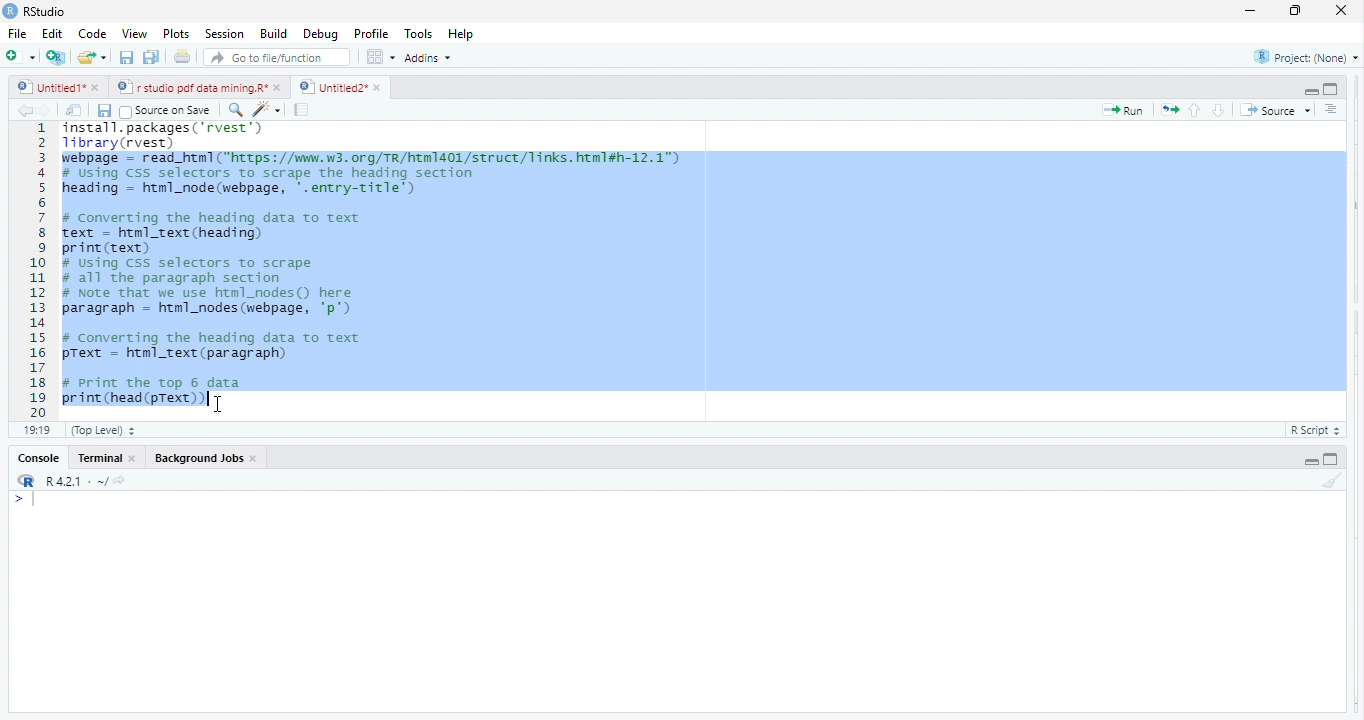 This screenshot has width=1364, height=720. Describe the element at coordinates (223, 34) in the screenshot. I see `‘Session` at that location.